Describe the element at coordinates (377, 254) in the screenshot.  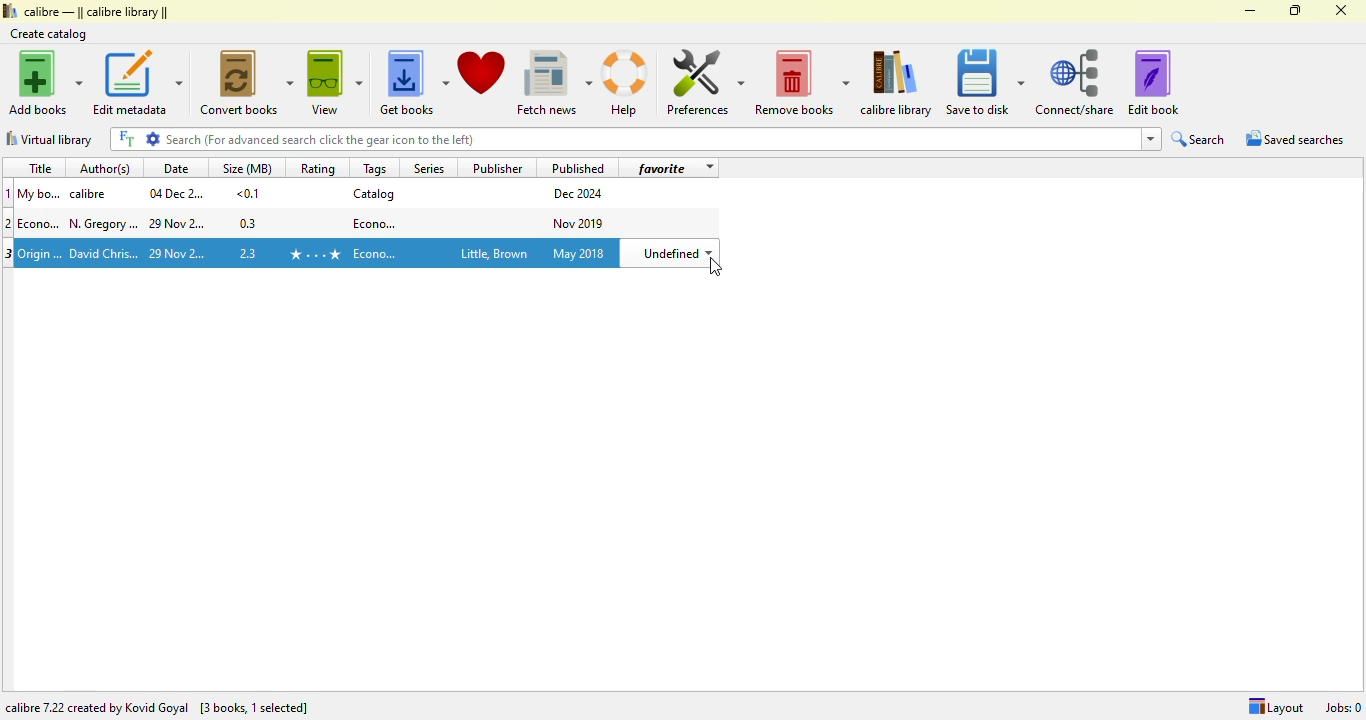
I see `tag` at that location.